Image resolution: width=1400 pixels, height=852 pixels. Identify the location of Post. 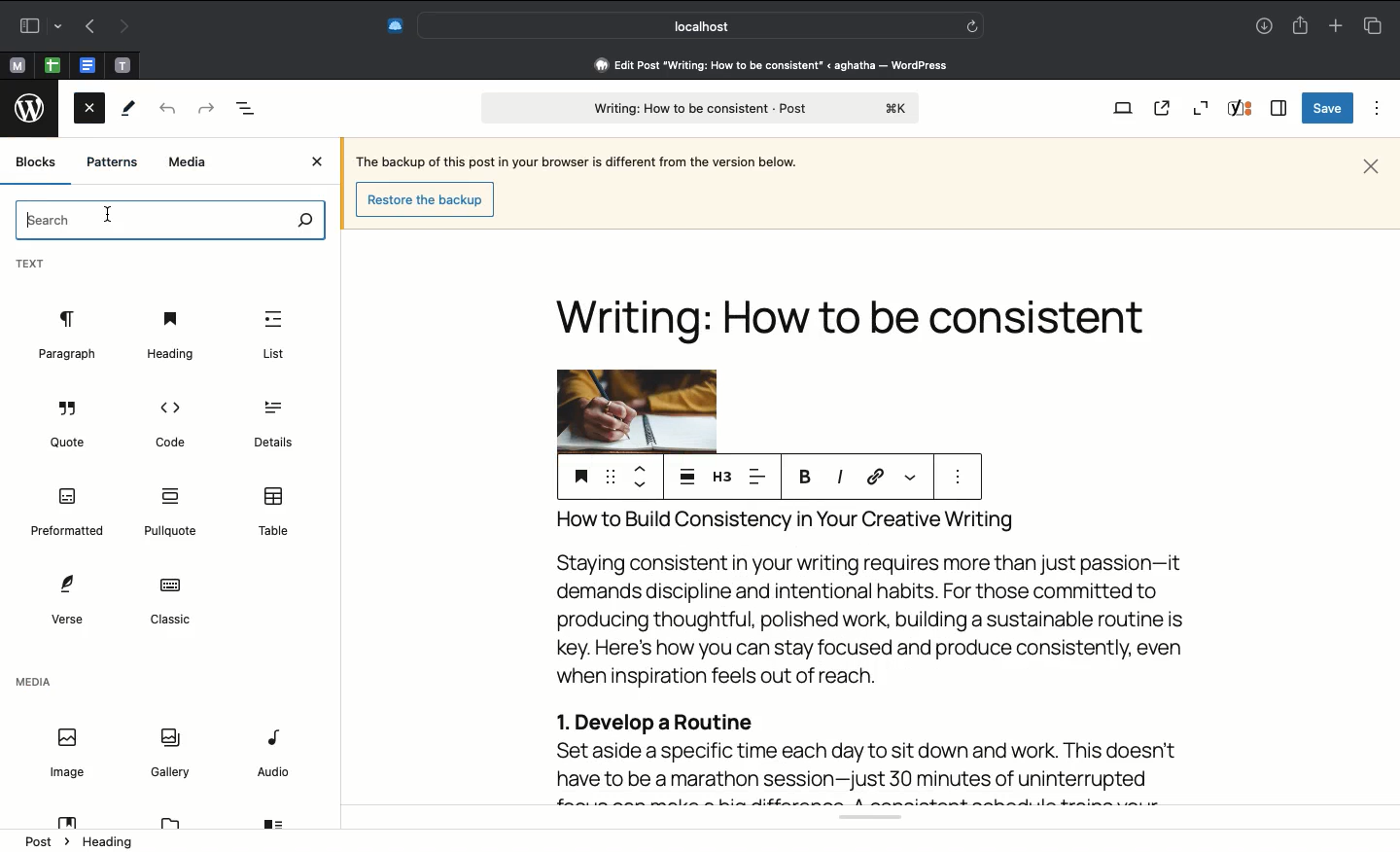
(50, 839).